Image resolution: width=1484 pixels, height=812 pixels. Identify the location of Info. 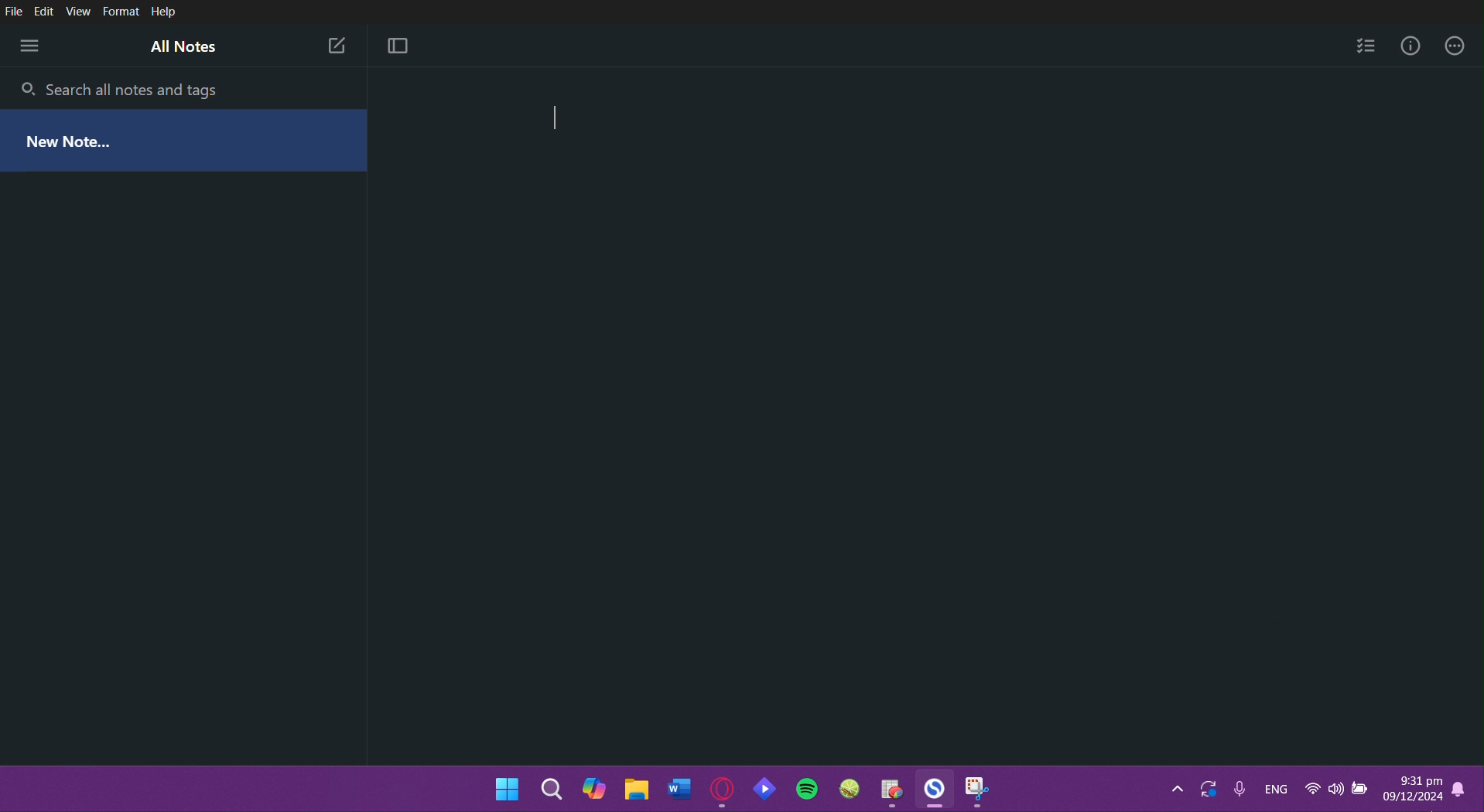
(1407, 46).